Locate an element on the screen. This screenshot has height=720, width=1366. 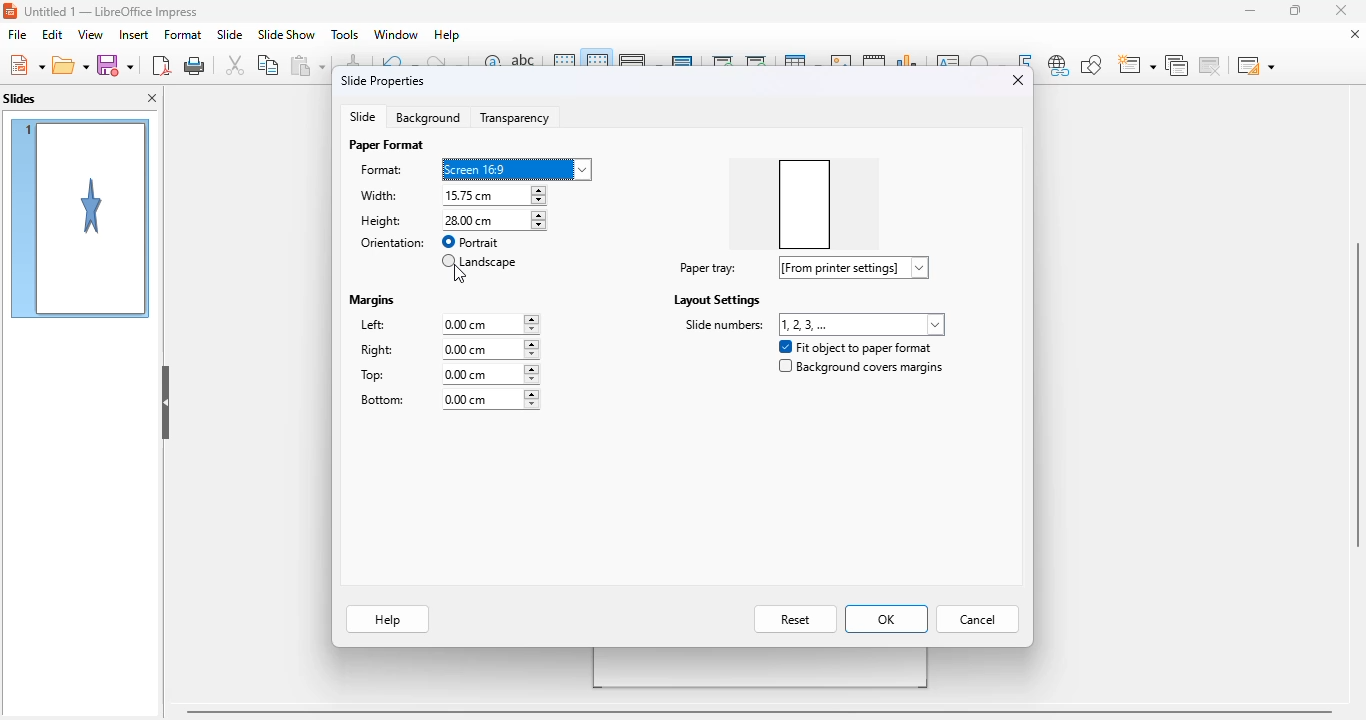
background covers margins is located at coordinates (861, 366).